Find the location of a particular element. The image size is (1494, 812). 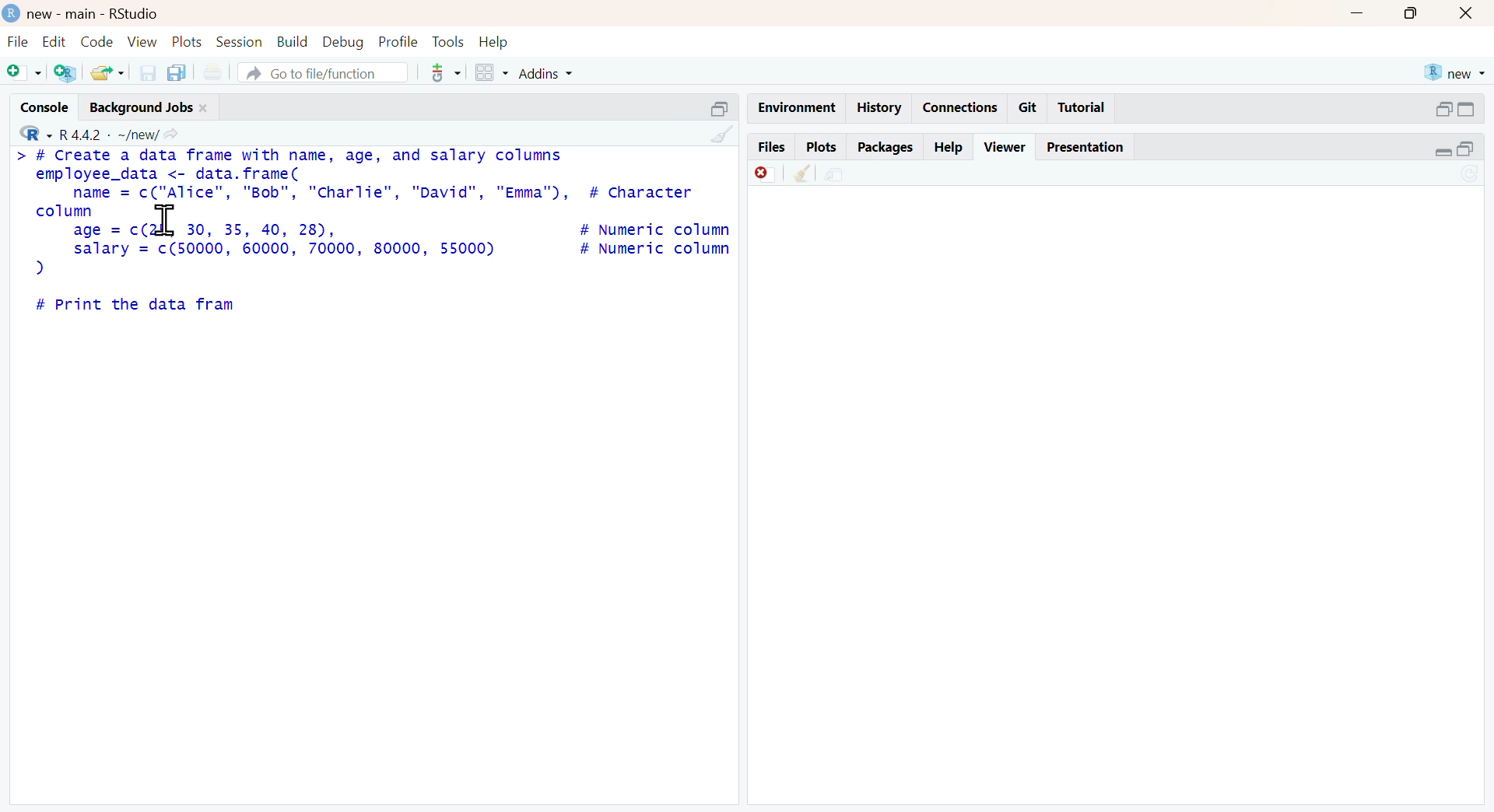

Git is located at coordinates (1029, 107).